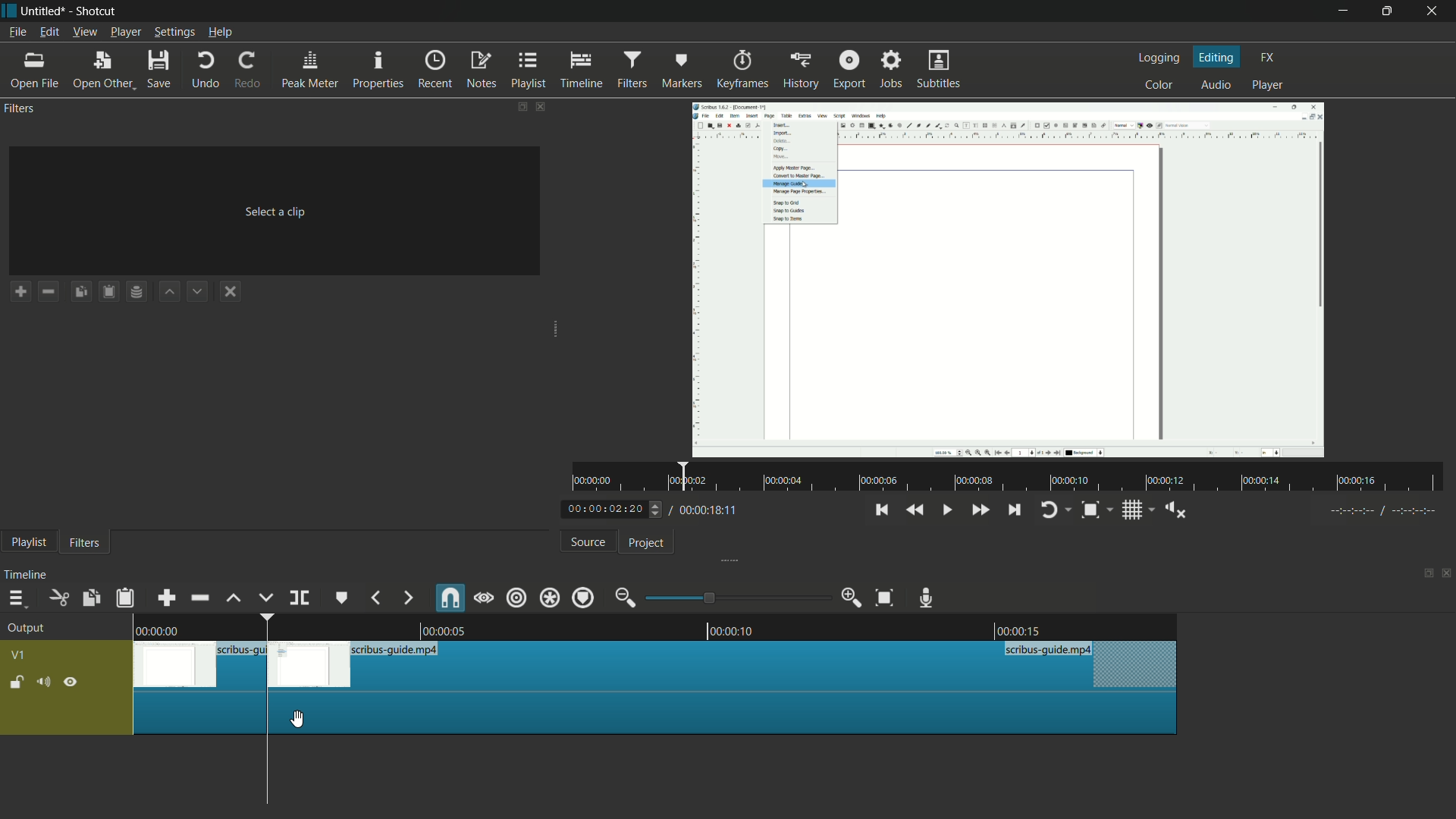  Describe the element at coordinates (1218, 56) in the screenshot. I see `editing` at that location.